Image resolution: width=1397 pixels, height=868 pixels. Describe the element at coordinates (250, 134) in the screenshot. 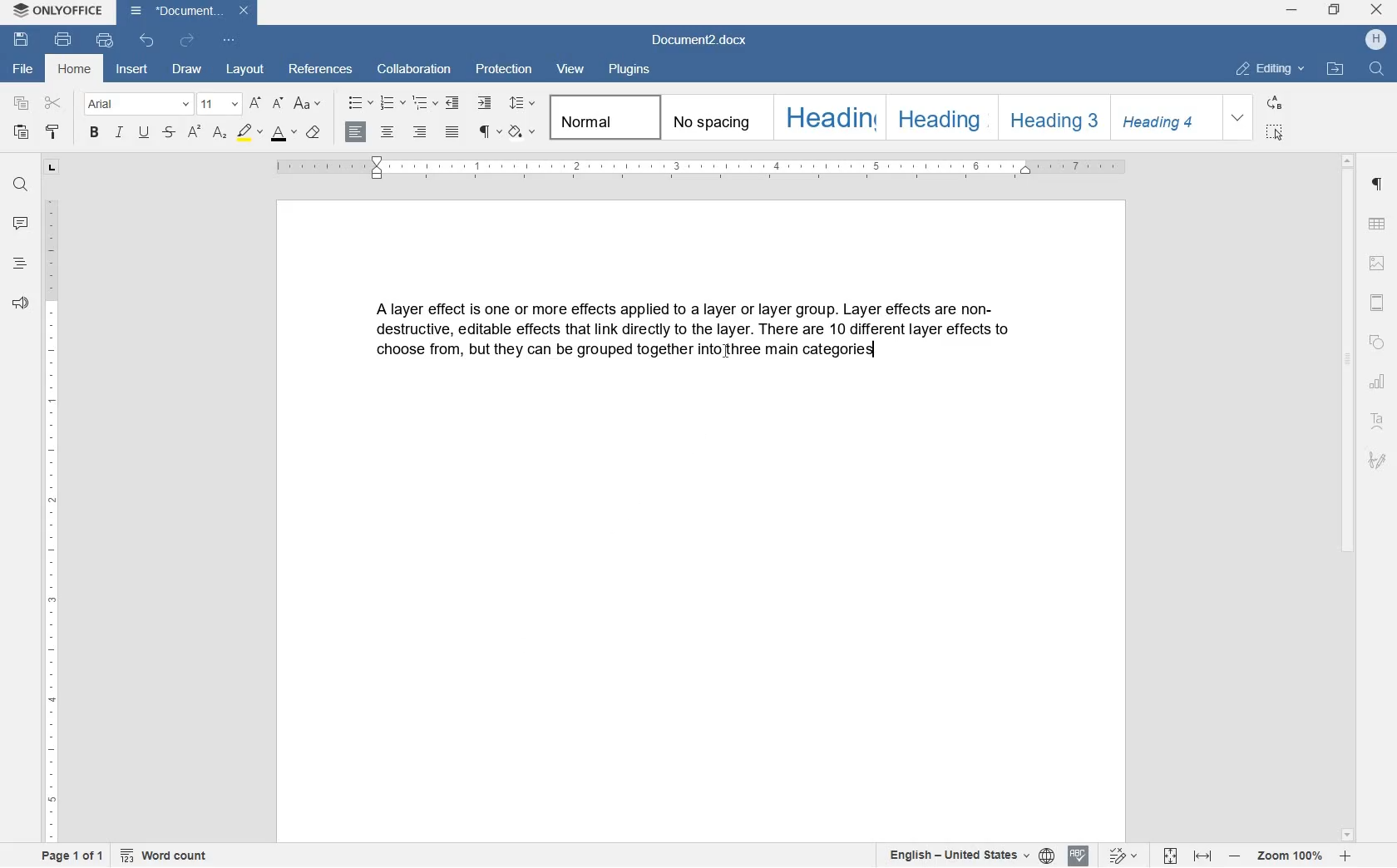

I see `highlight color` at that location.